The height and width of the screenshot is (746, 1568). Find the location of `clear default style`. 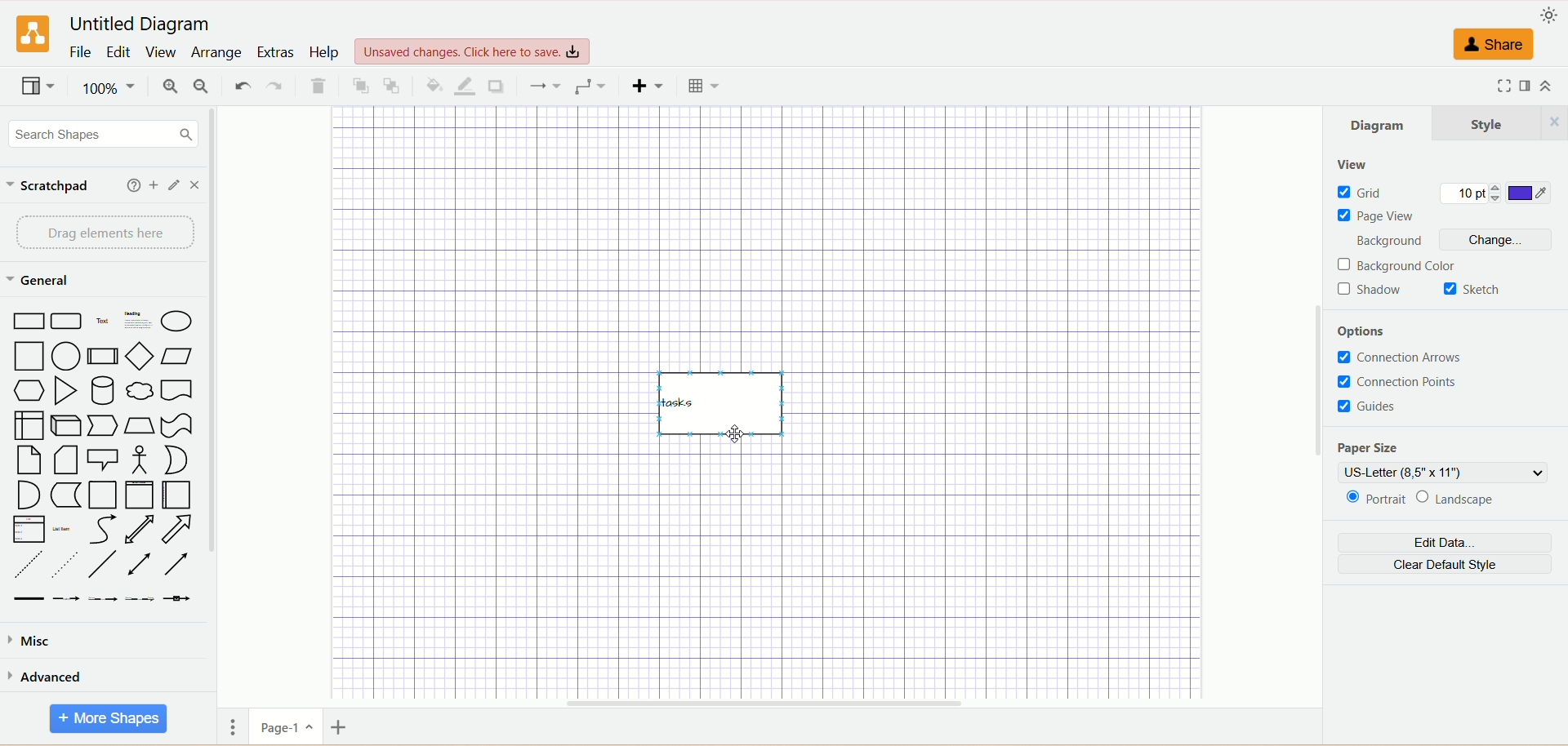

clear default style is located at coordinates (1446, 566).